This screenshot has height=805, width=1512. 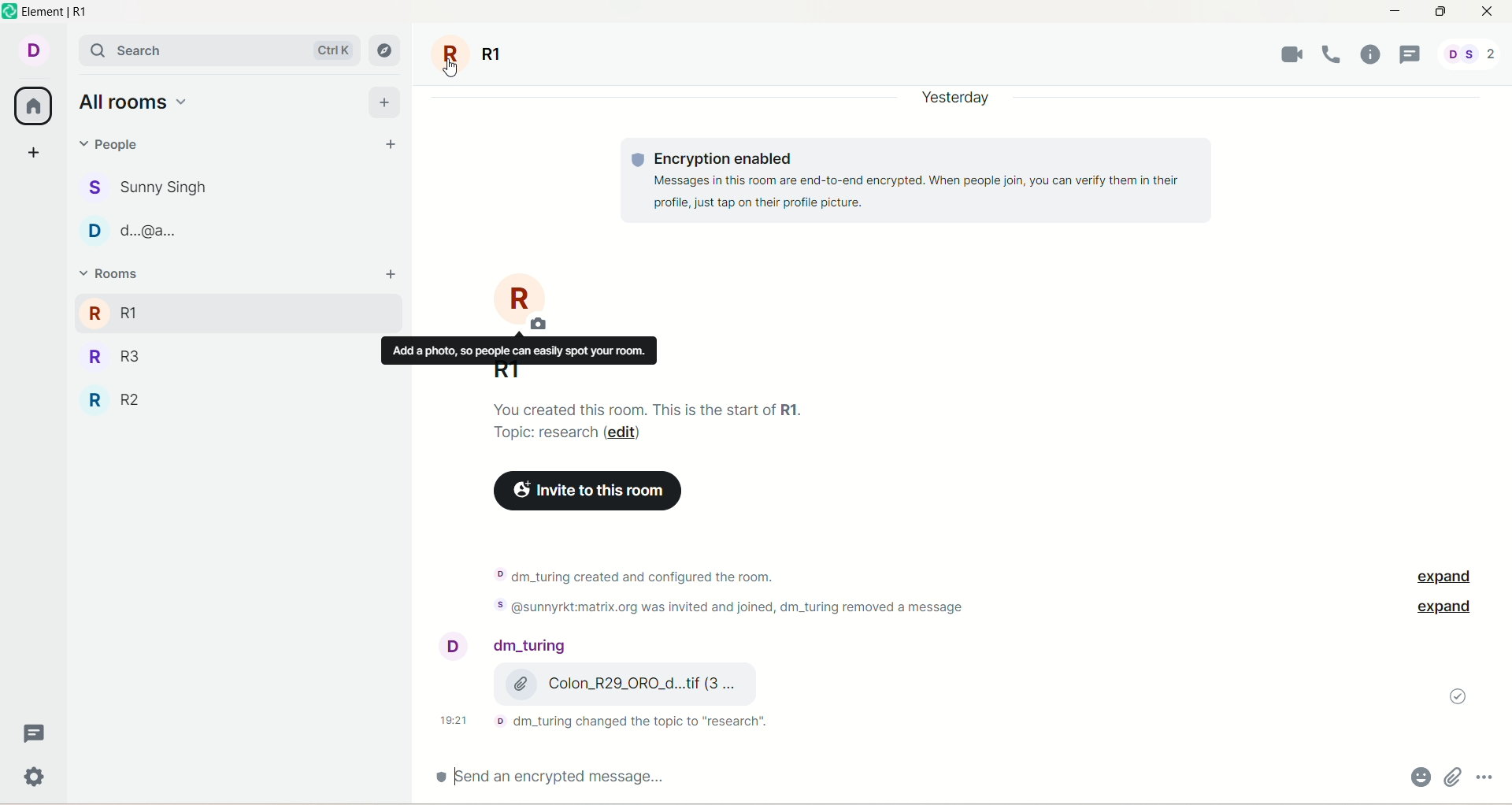 I want to click on video call, so click(x=1293, y=57).